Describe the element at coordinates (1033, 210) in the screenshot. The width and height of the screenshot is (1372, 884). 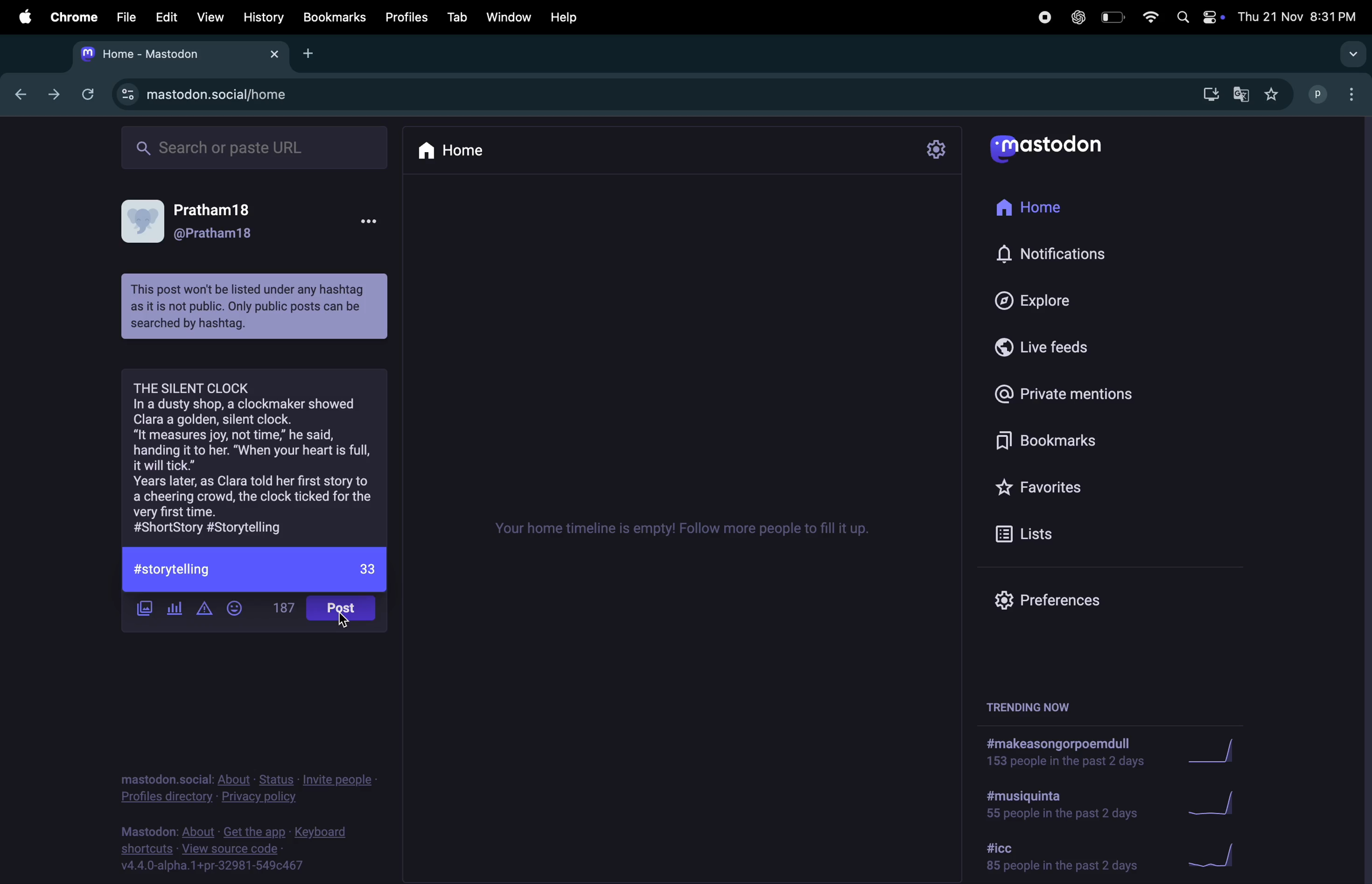
I see `home` at that location.